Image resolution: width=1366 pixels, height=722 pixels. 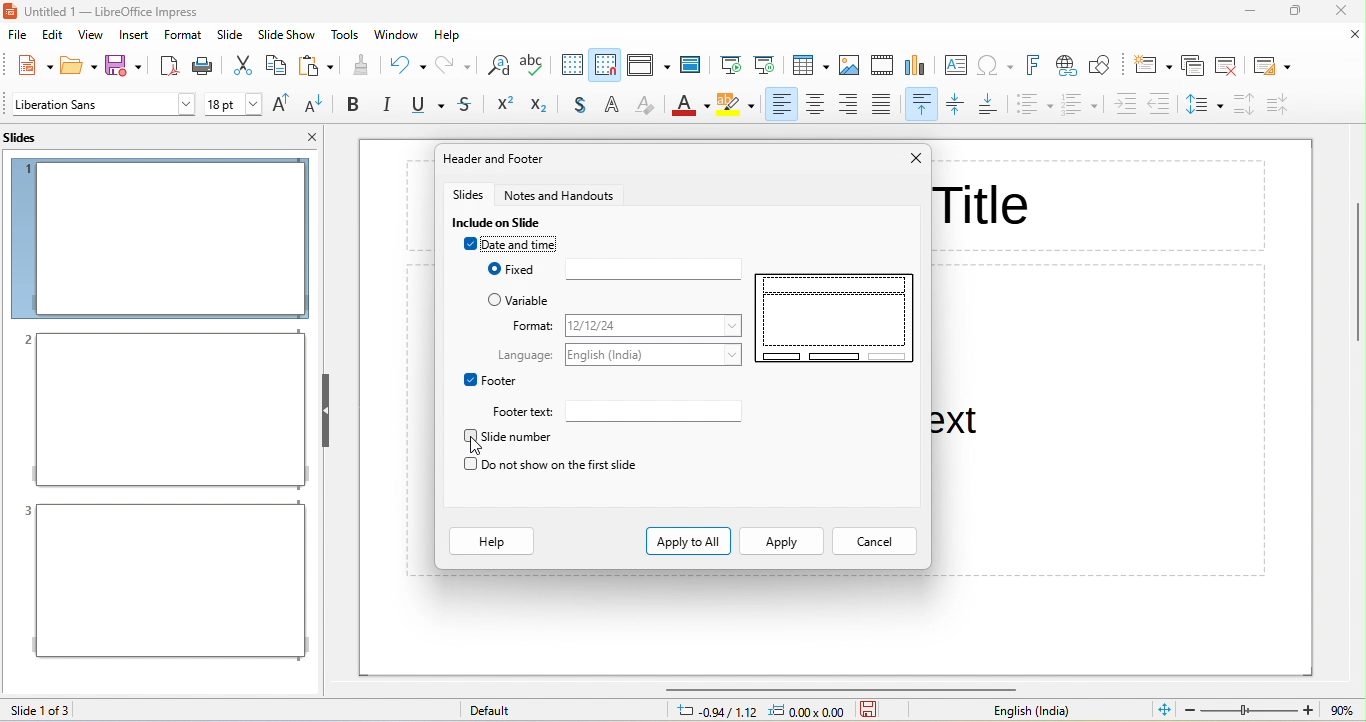 What do you see at coordinates (468, 194) in the screenshot?
I see `slides` at bounding box center [468, 194].